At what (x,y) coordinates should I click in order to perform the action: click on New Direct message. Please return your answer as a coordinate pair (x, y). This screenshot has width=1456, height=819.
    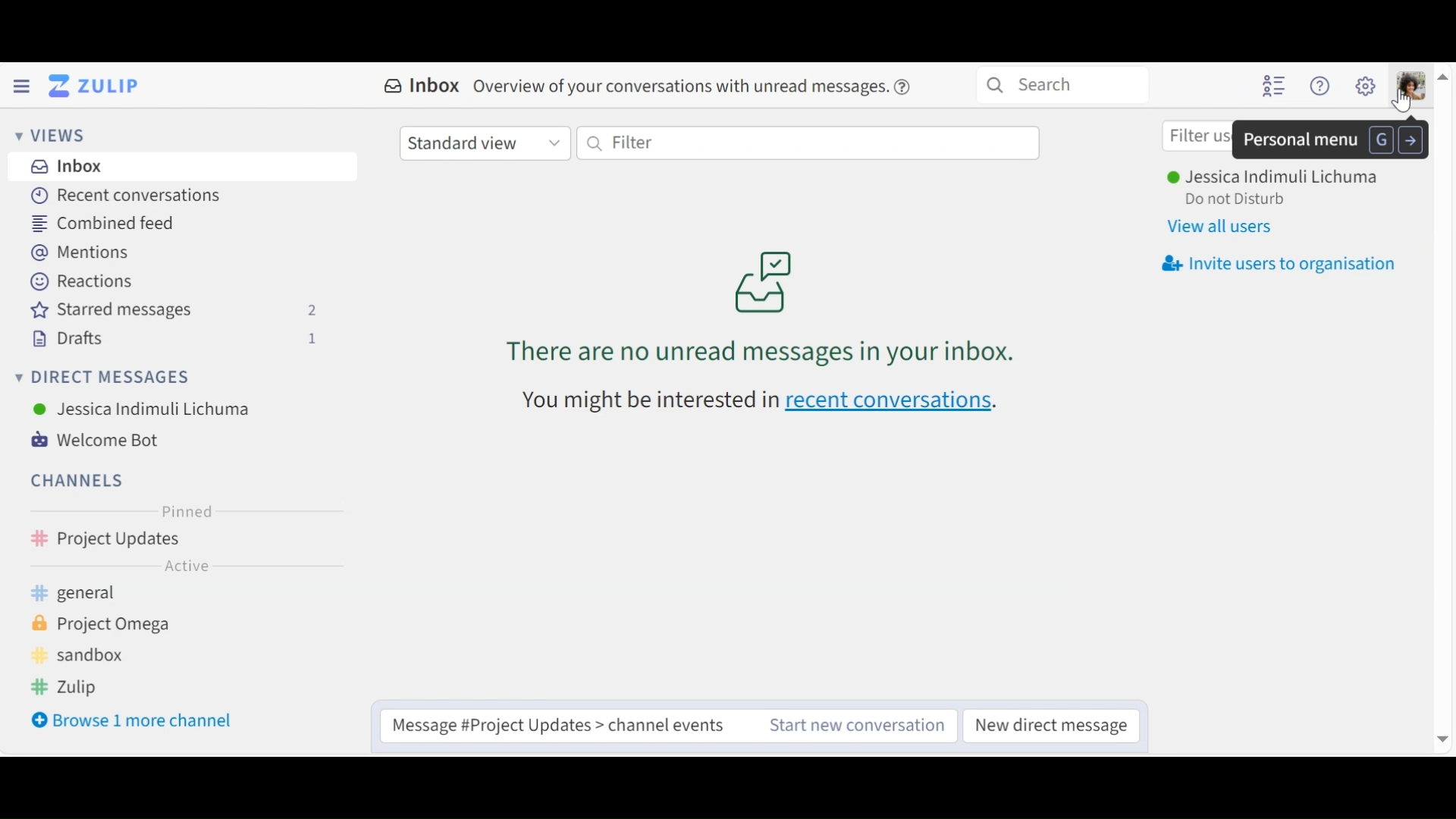
    Looking at the image, I should click on (1050, 726).